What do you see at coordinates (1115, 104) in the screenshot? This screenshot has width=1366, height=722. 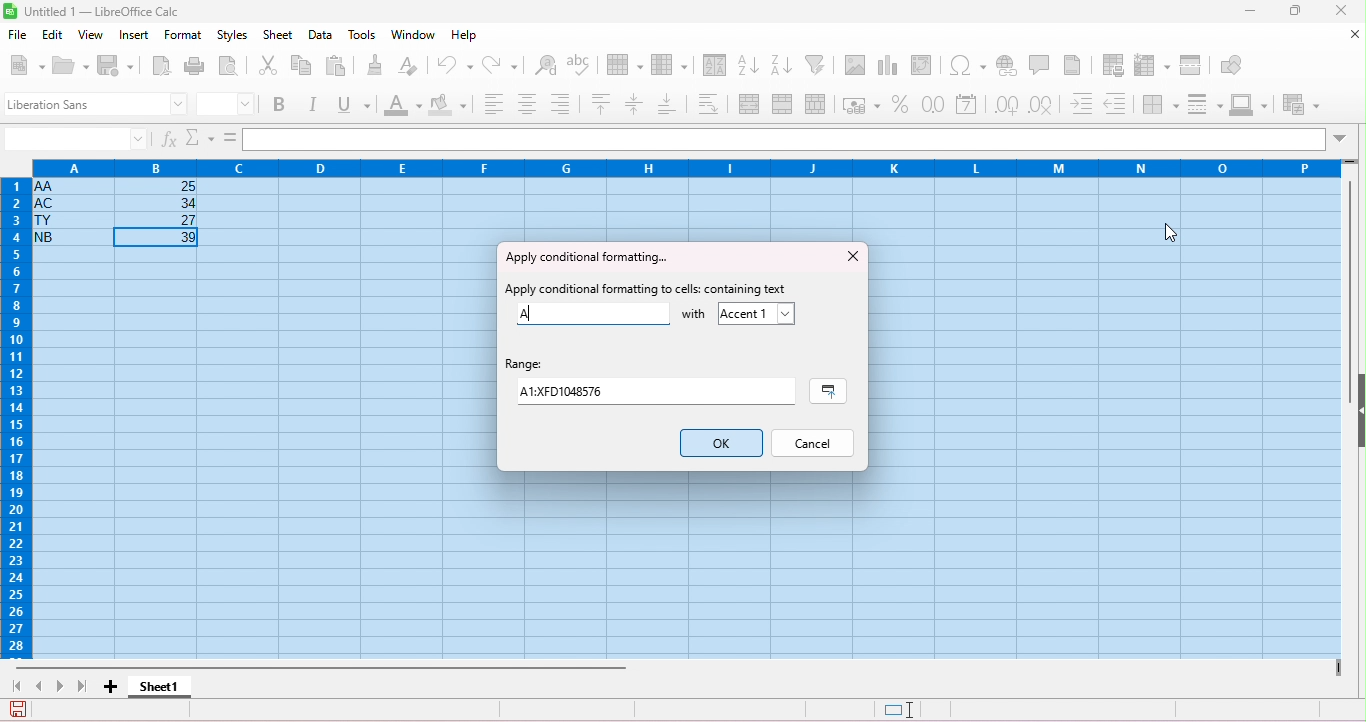 I see `decrease indent` at bounding box center [1115, 104].